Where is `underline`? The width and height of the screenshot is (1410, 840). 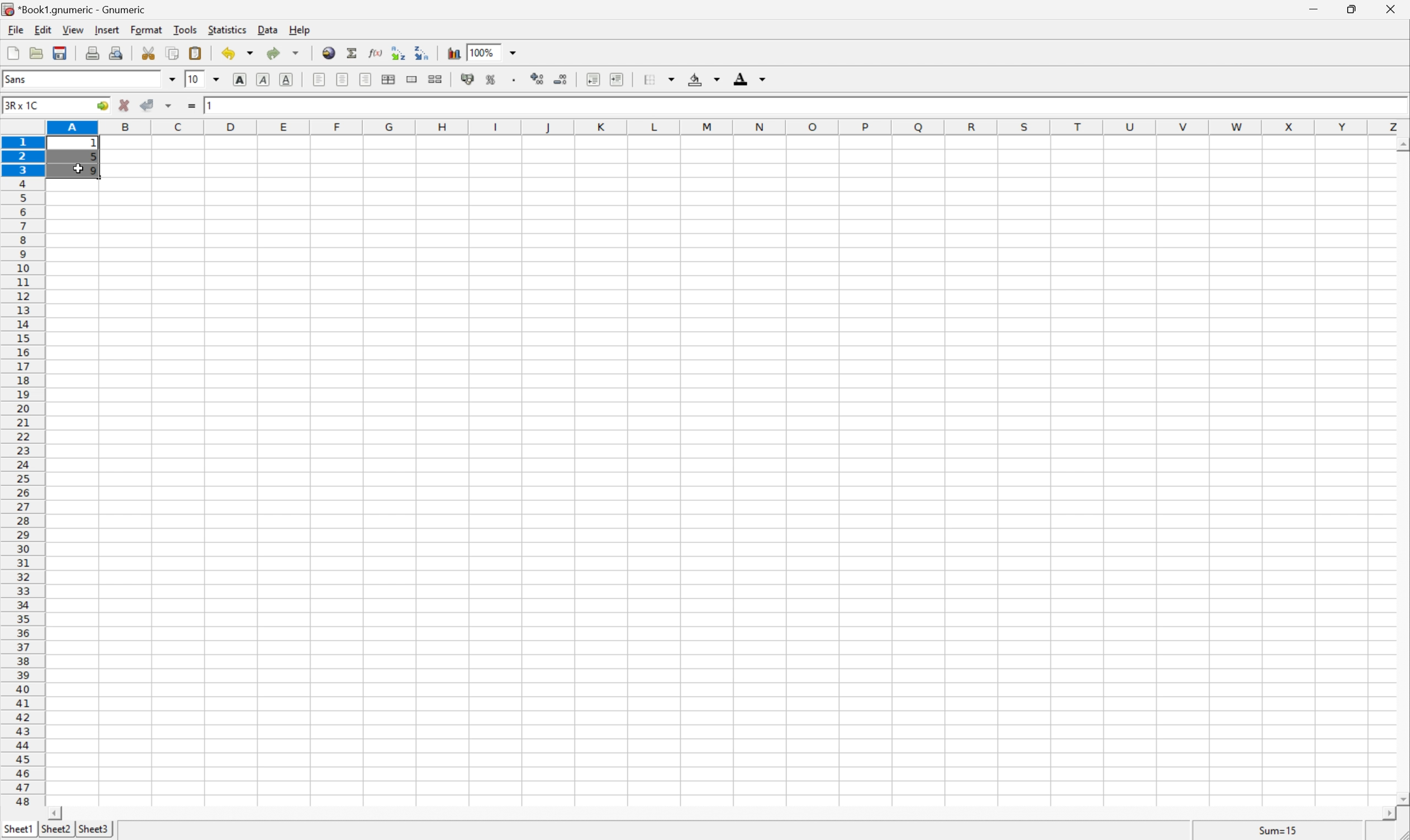 underline is located at coordinates (288, 80).